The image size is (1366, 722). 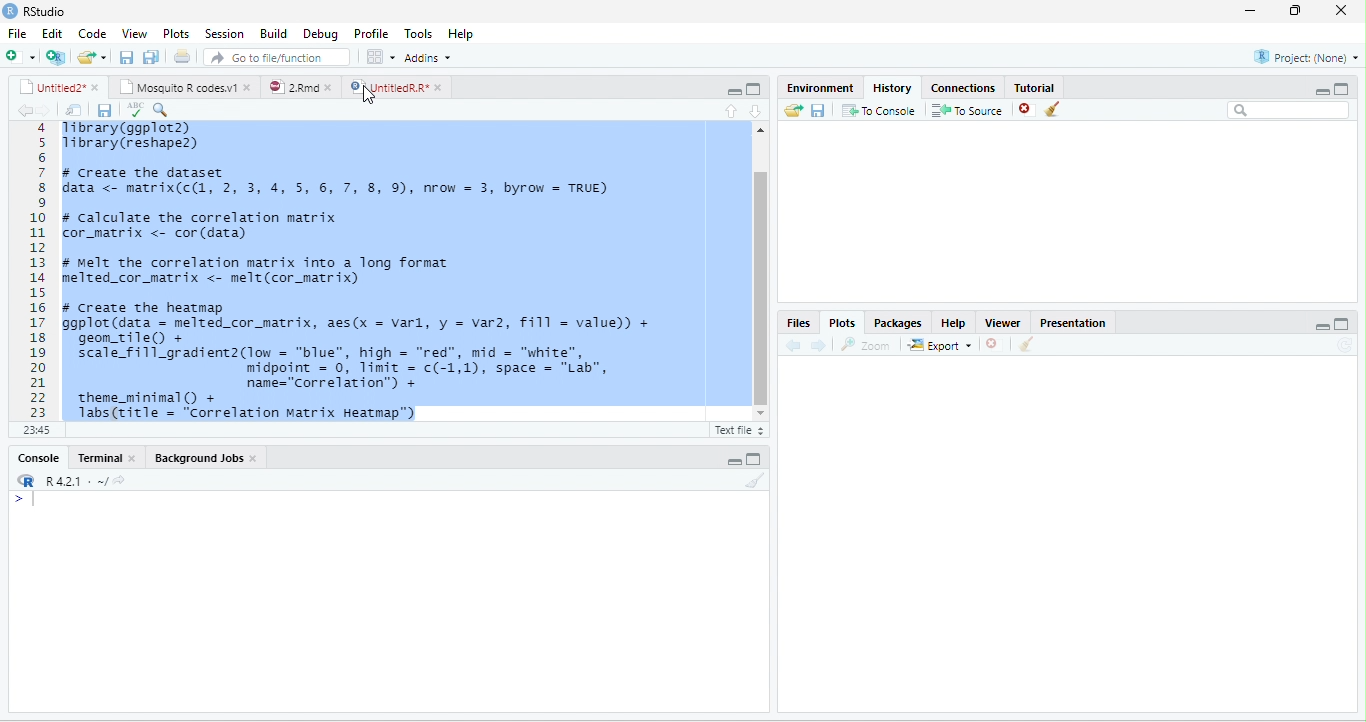 What do you see at coordinates (869, 345) in the screenshot?
I see `zoom` at bounding box center [869, 345].